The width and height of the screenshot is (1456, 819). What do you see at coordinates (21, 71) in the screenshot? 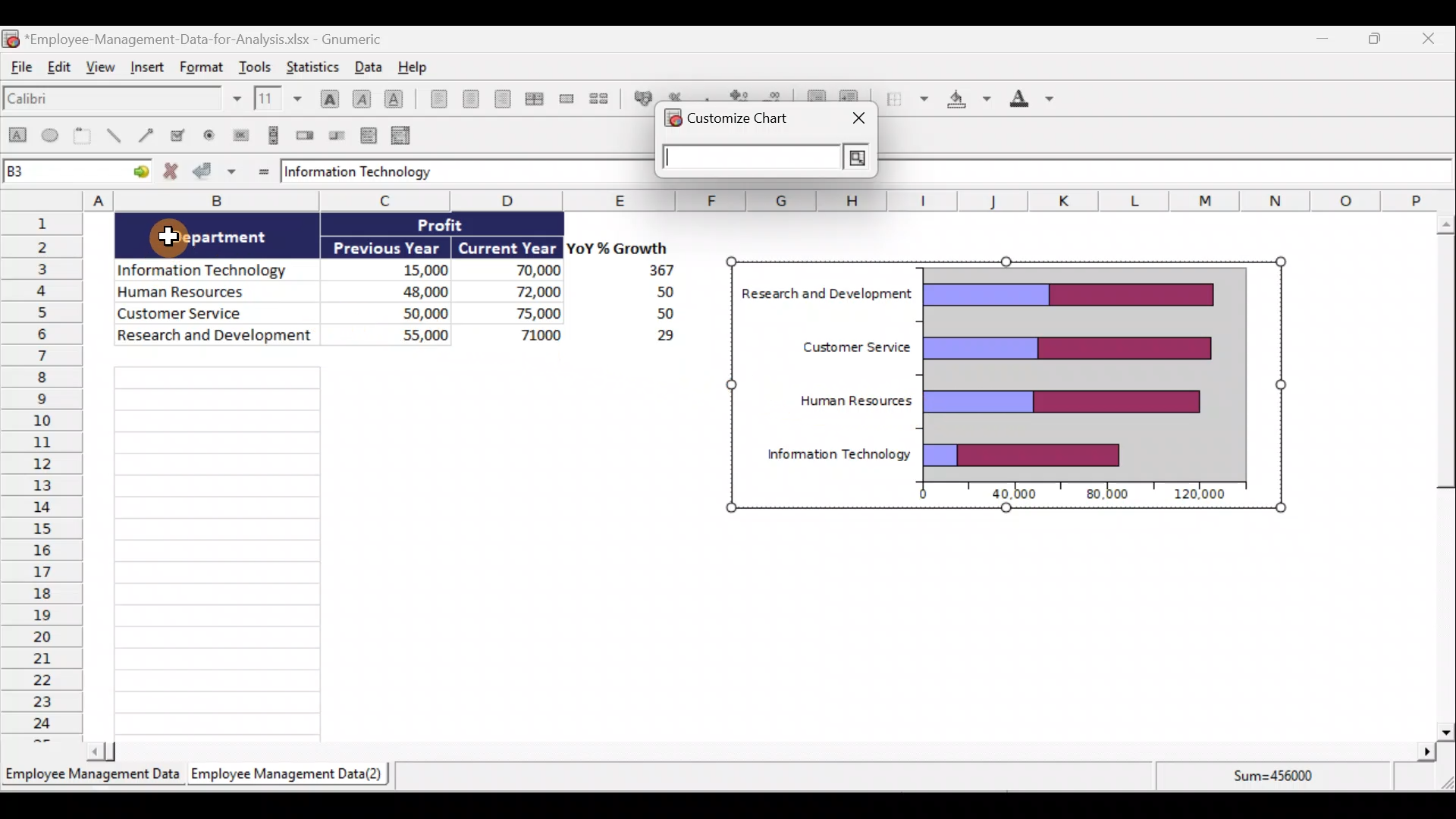
I see `File` at bounding box center [21, 71].